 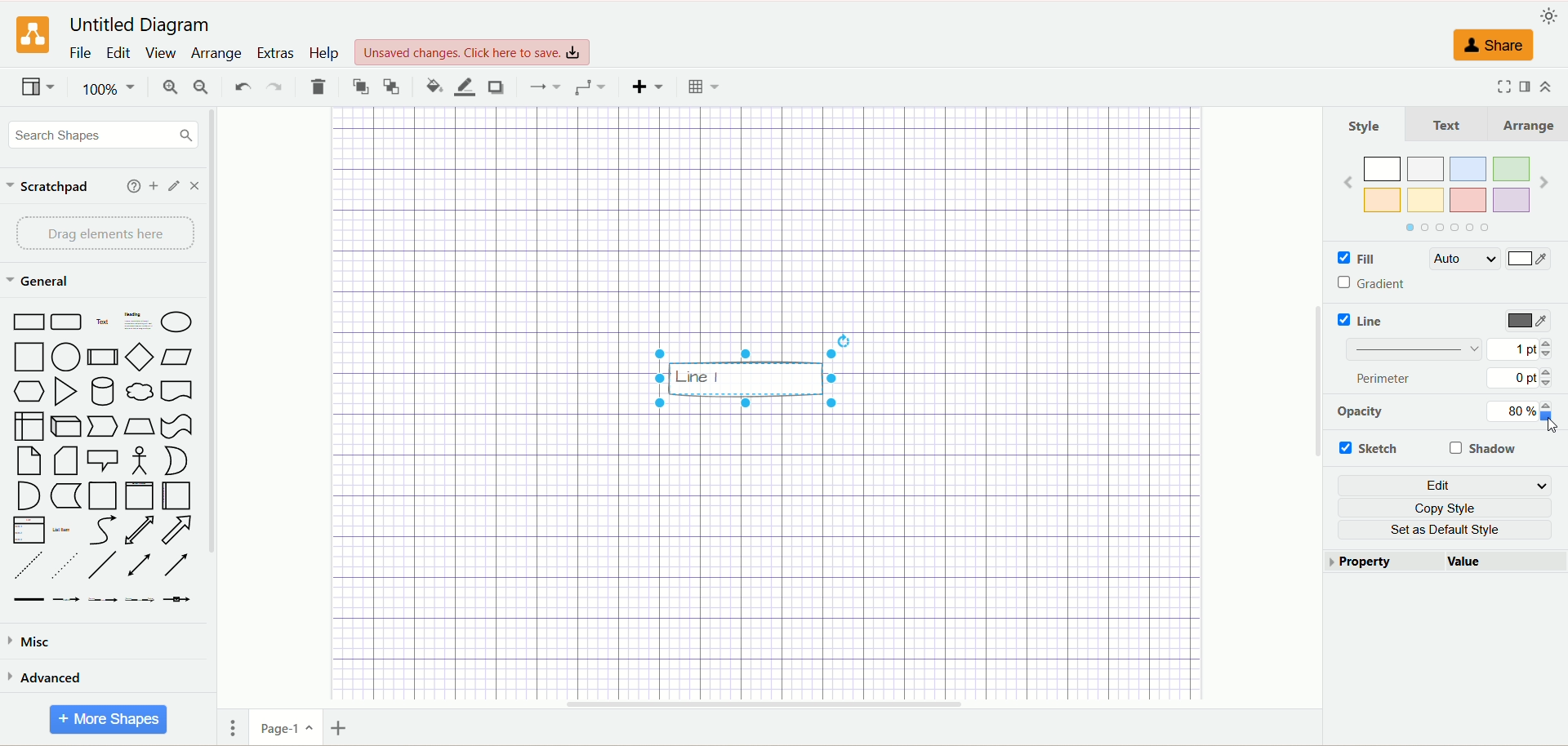 What do you see at coordinates (140, 25) in the screenshot?
I see `United Diagram` at bounding box center [140, 25].